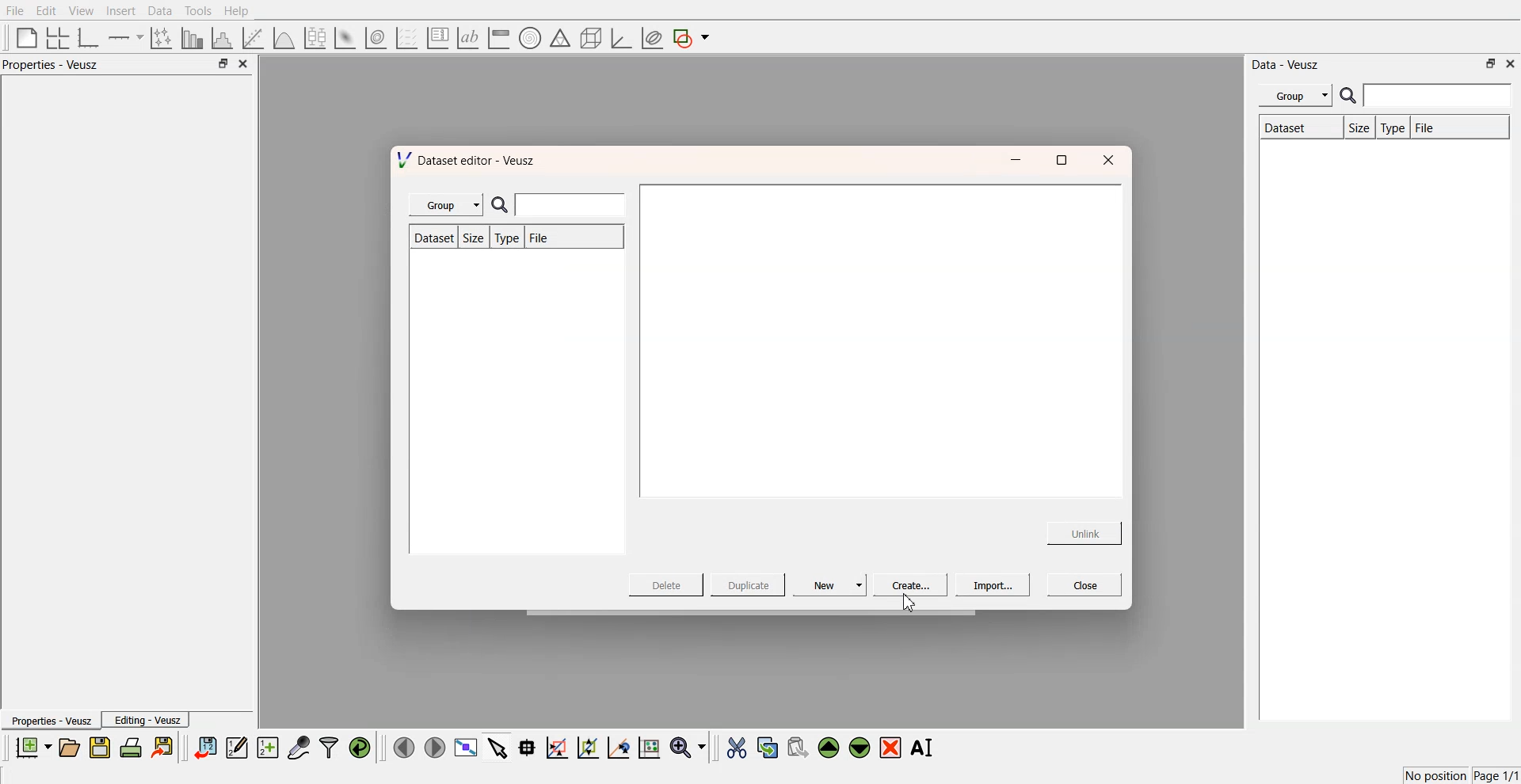 Image resolution: width=1521 pixels, height=784 pixels. What do you see at coordinates (90, 37) in the screenshot?
I see `base graphs` at bounding box center [90, 37].